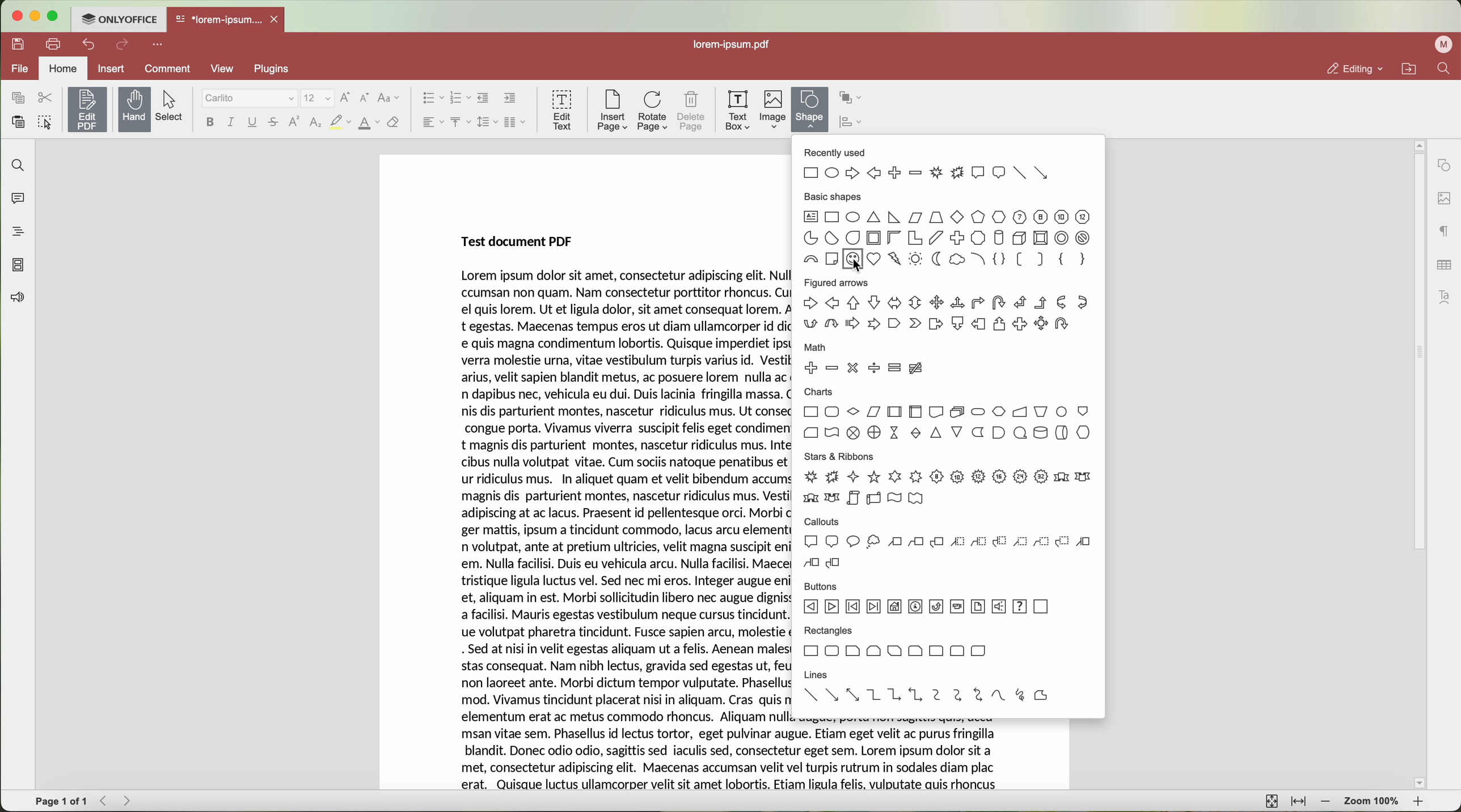 This screenshot has width=1461, height=812. Describe the element at coordinates (90, 44) in the screenshot. I see `undo` at that location.